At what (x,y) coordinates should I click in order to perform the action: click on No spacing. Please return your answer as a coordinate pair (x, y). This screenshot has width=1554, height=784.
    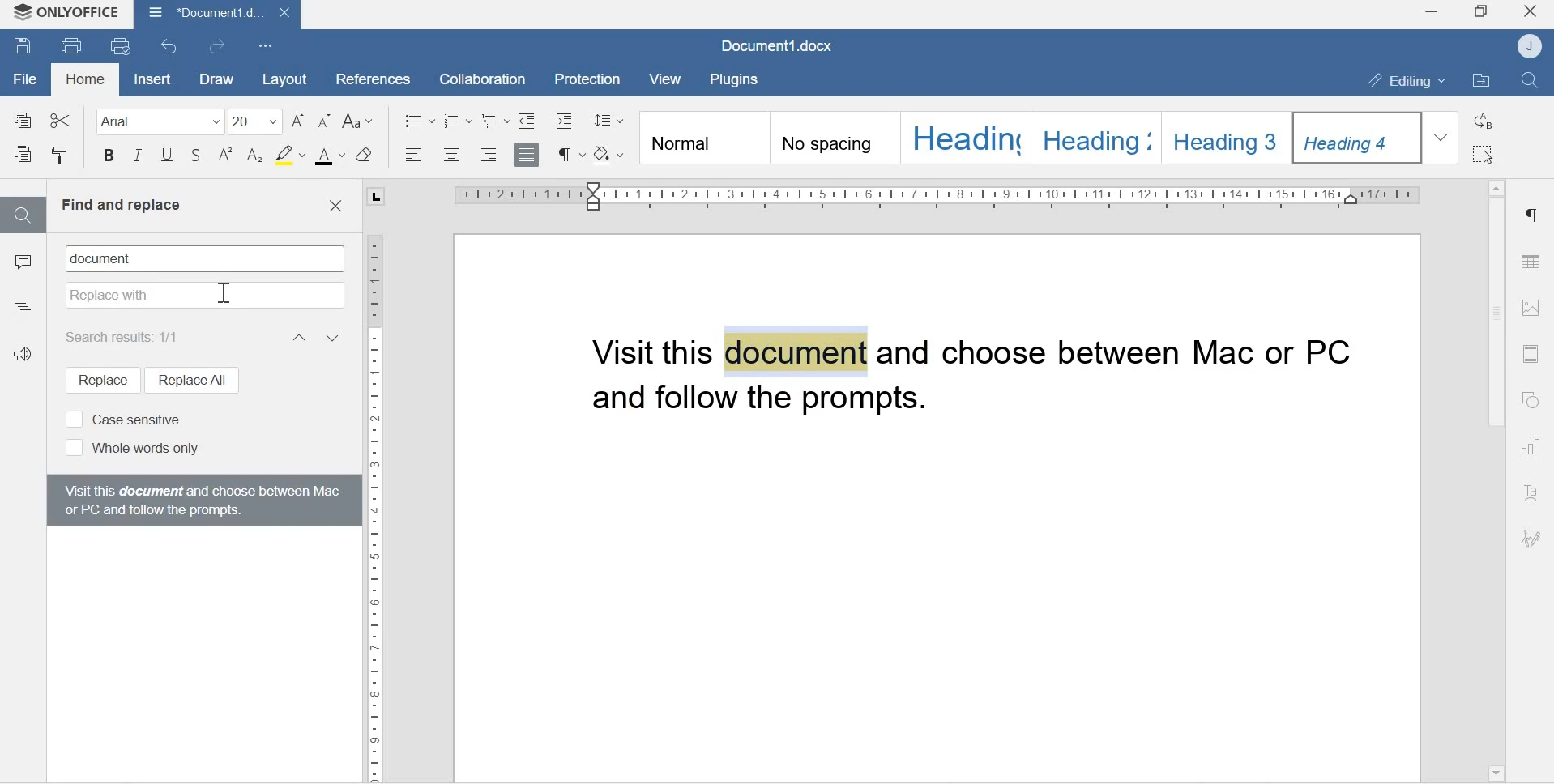
    Looking at the image, I should click on (835, 140).